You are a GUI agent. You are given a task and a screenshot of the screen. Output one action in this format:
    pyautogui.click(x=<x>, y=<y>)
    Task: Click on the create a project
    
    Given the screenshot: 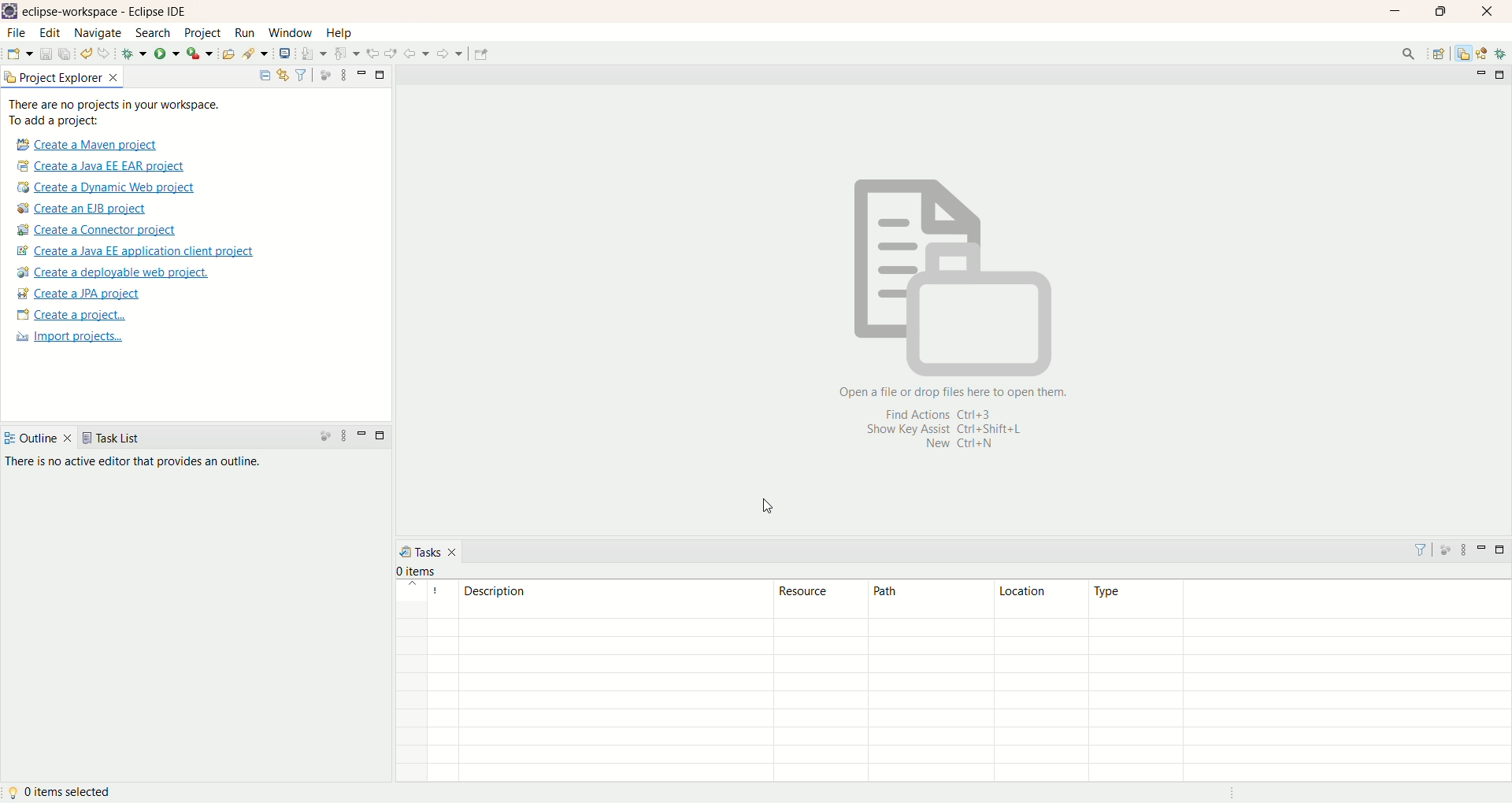 What is the action you would take?
    pyautogui.click(x=75, y=314)
    